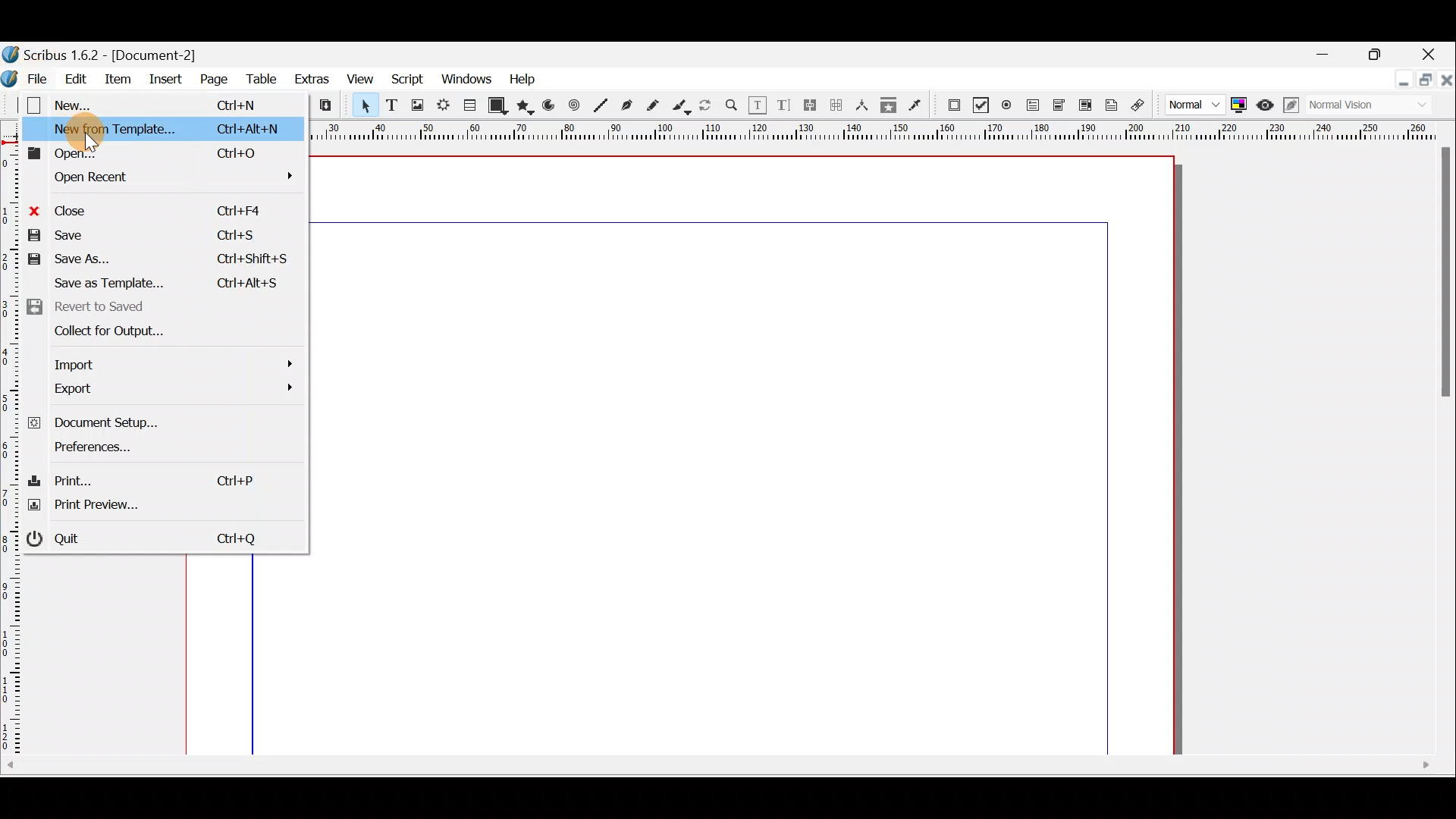  Describe the element at coordinates (1436, 52) in the screenshot. I see `Close` at that location.